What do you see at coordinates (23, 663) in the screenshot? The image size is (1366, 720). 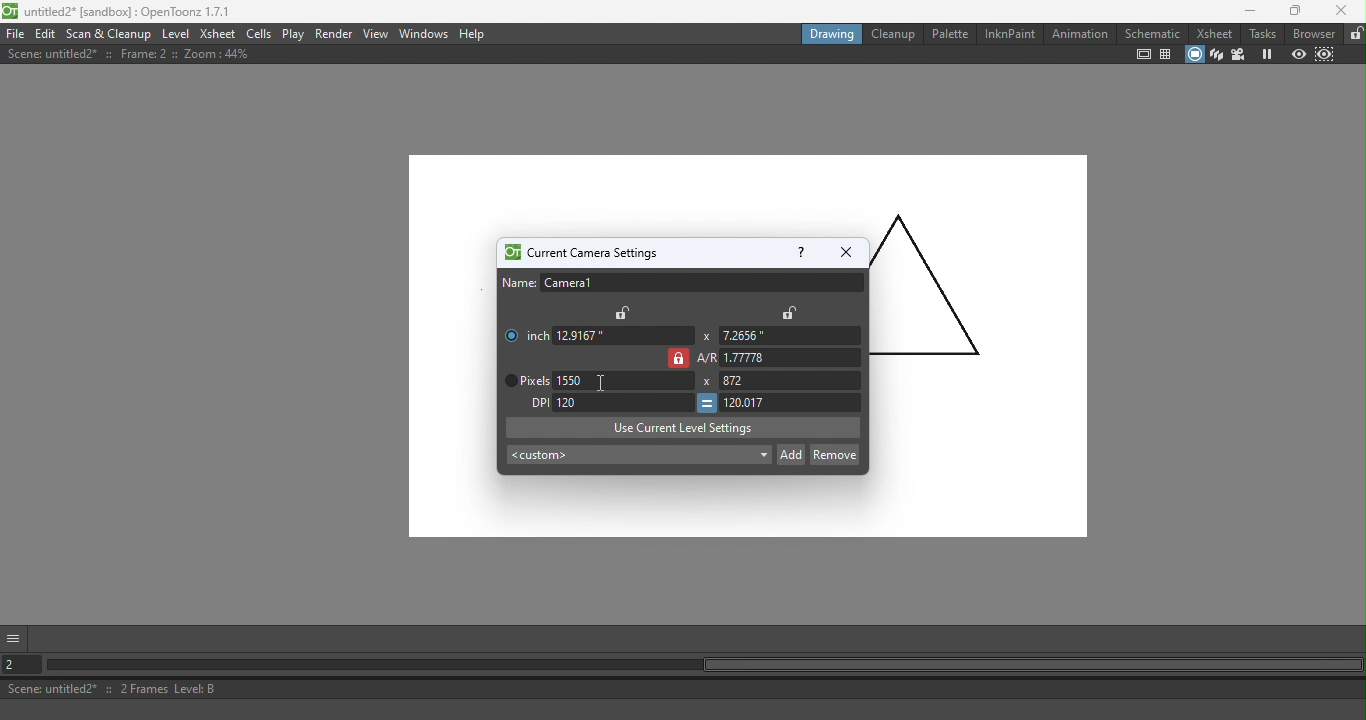 I see `Set the current frame` at bounding box center [23, 663].